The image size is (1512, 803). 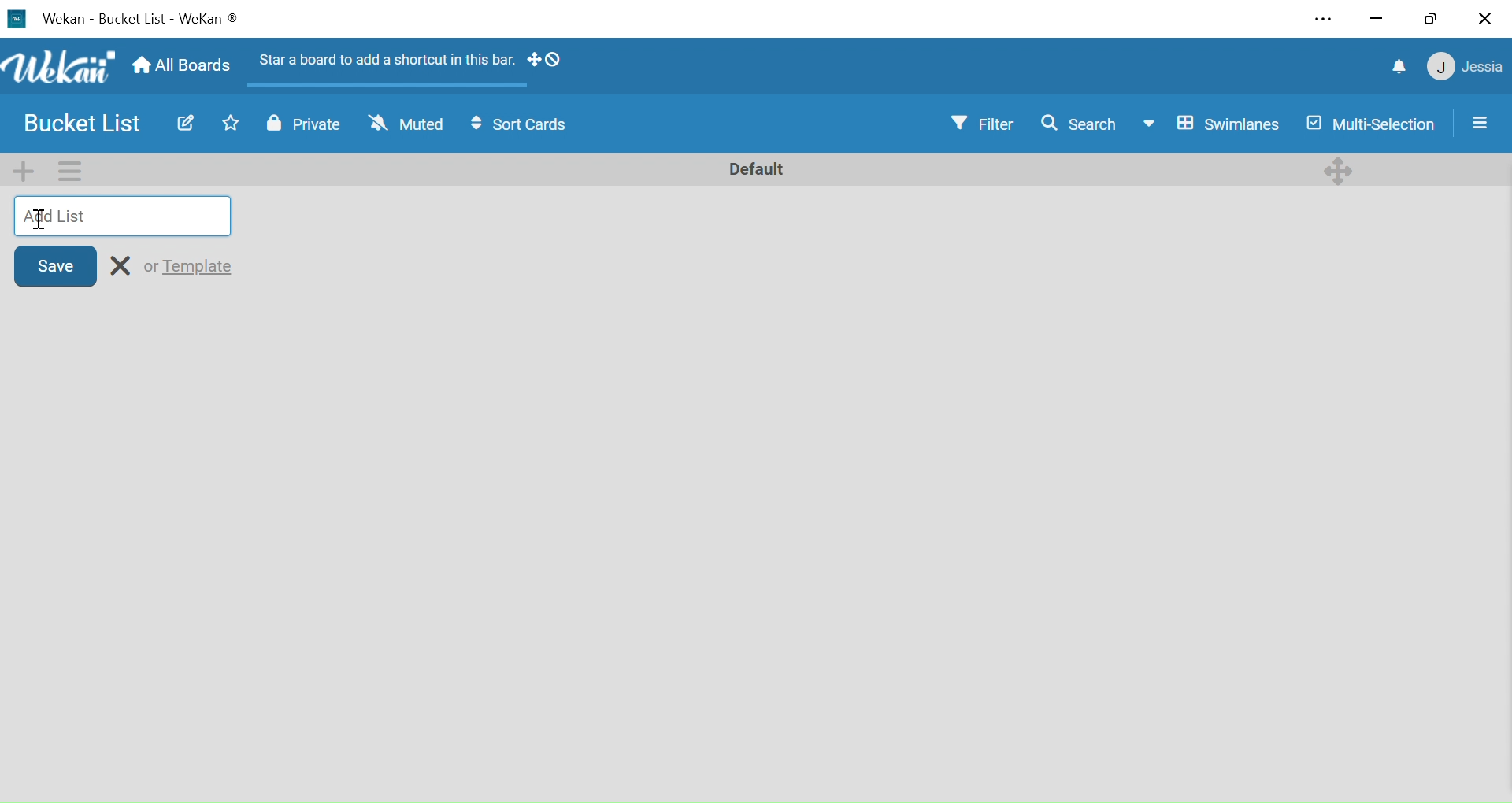 I want to click on Sort cards, so click(x=524, y=127).